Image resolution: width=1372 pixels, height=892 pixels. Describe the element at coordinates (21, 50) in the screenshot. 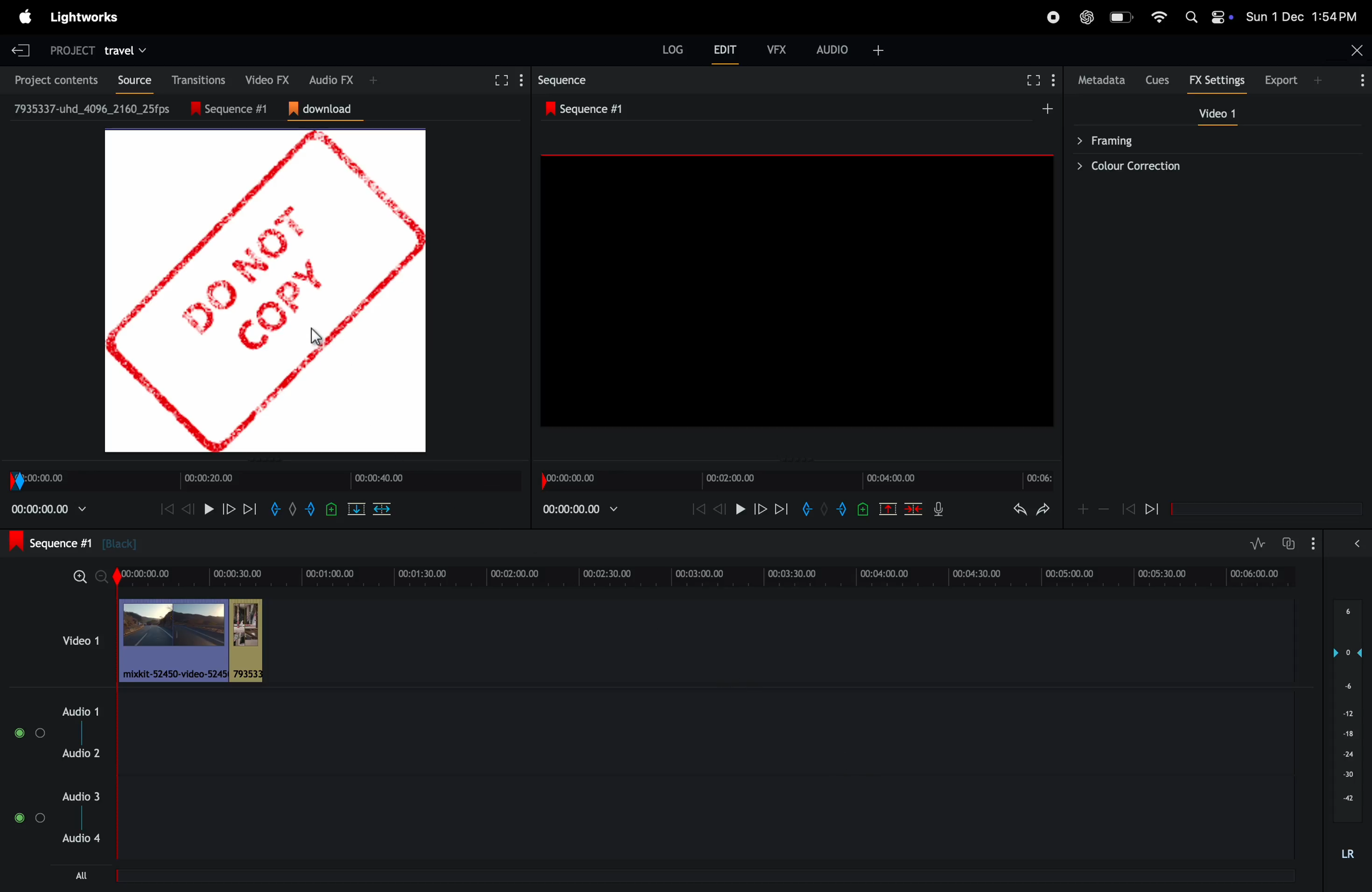

I see `exit` at that location.